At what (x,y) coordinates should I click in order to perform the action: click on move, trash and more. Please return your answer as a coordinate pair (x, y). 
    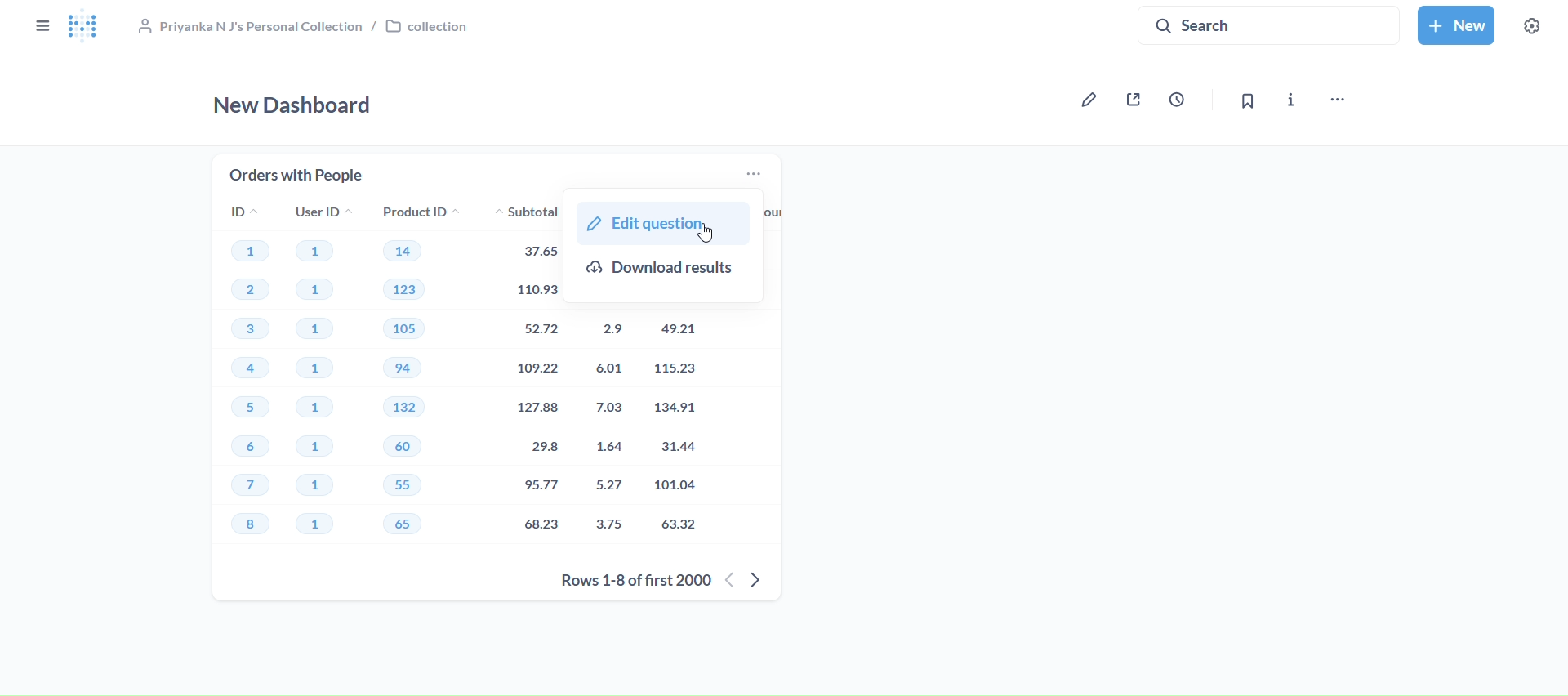
    Looking at the image, I should click on (1340, 99).